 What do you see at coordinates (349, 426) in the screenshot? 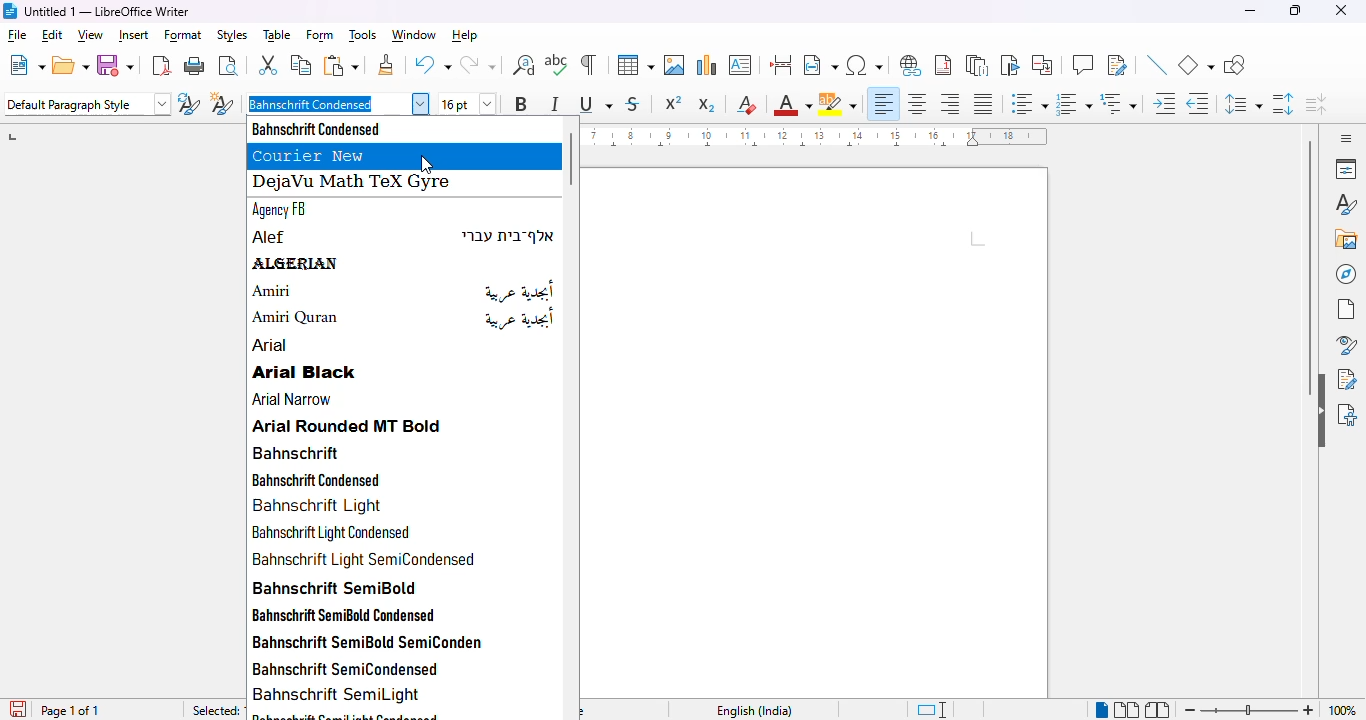
I see `arial rounded MT bold` at bounding box center [349, 426].